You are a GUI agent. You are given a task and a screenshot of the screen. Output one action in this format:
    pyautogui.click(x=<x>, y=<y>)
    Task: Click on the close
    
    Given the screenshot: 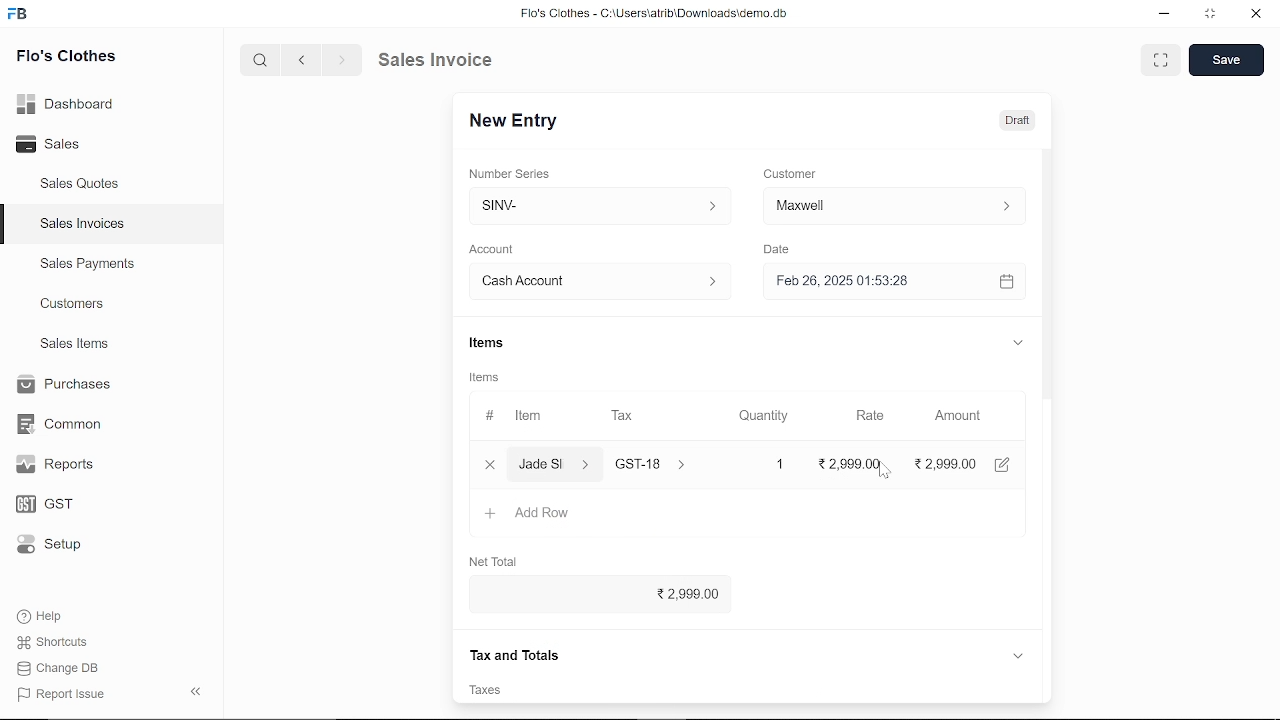 What is the action you would take?
    pyautogui.click(x=1254, y=15)
    